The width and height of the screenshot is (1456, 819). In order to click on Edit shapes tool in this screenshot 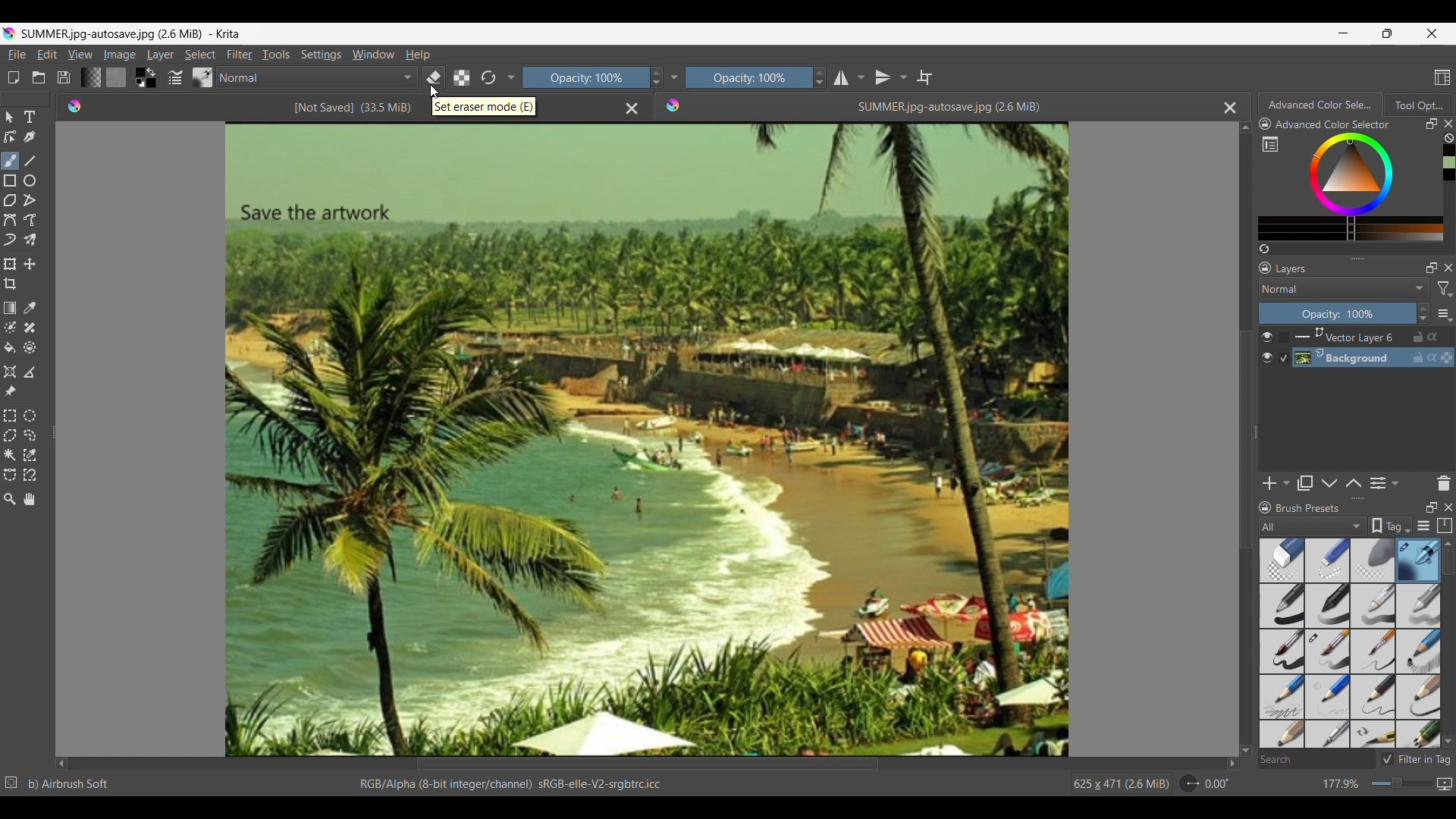, I will do `click(11, 136)`.